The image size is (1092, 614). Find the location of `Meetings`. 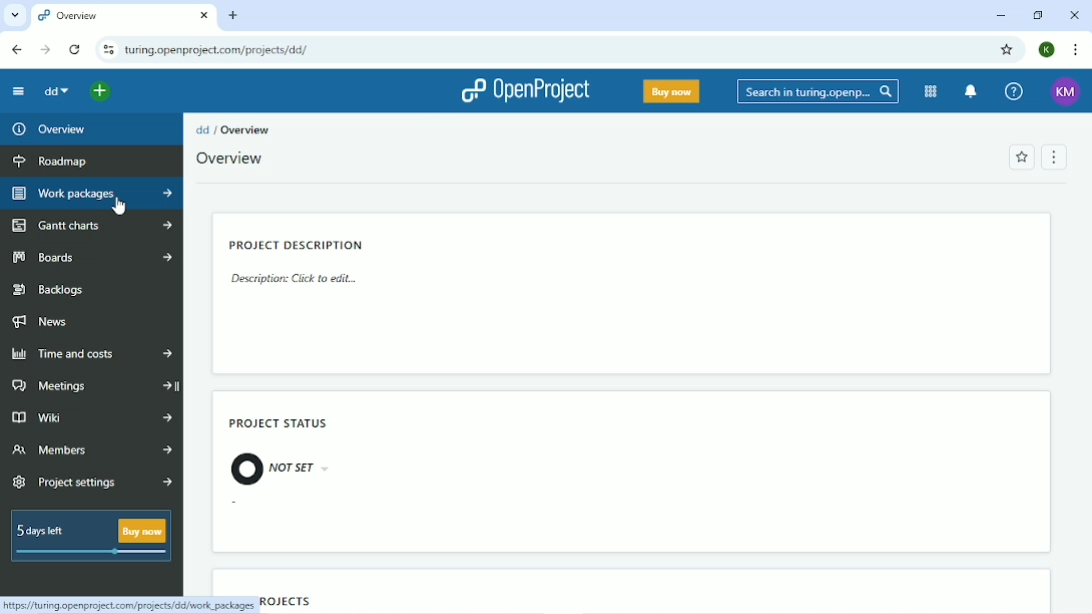

Meetings is located at coordinates (94, 387).